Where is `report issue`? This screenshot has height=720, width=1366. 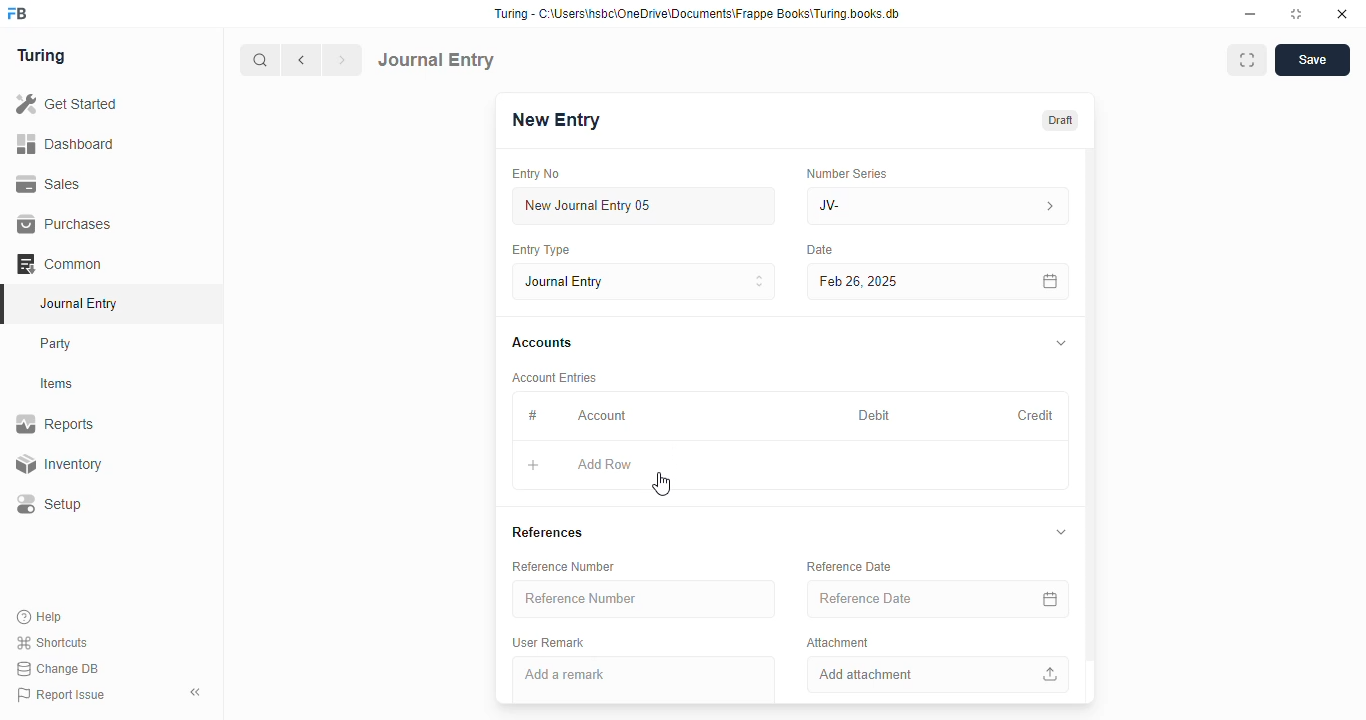 report issue is located at coordinates (61, 695).